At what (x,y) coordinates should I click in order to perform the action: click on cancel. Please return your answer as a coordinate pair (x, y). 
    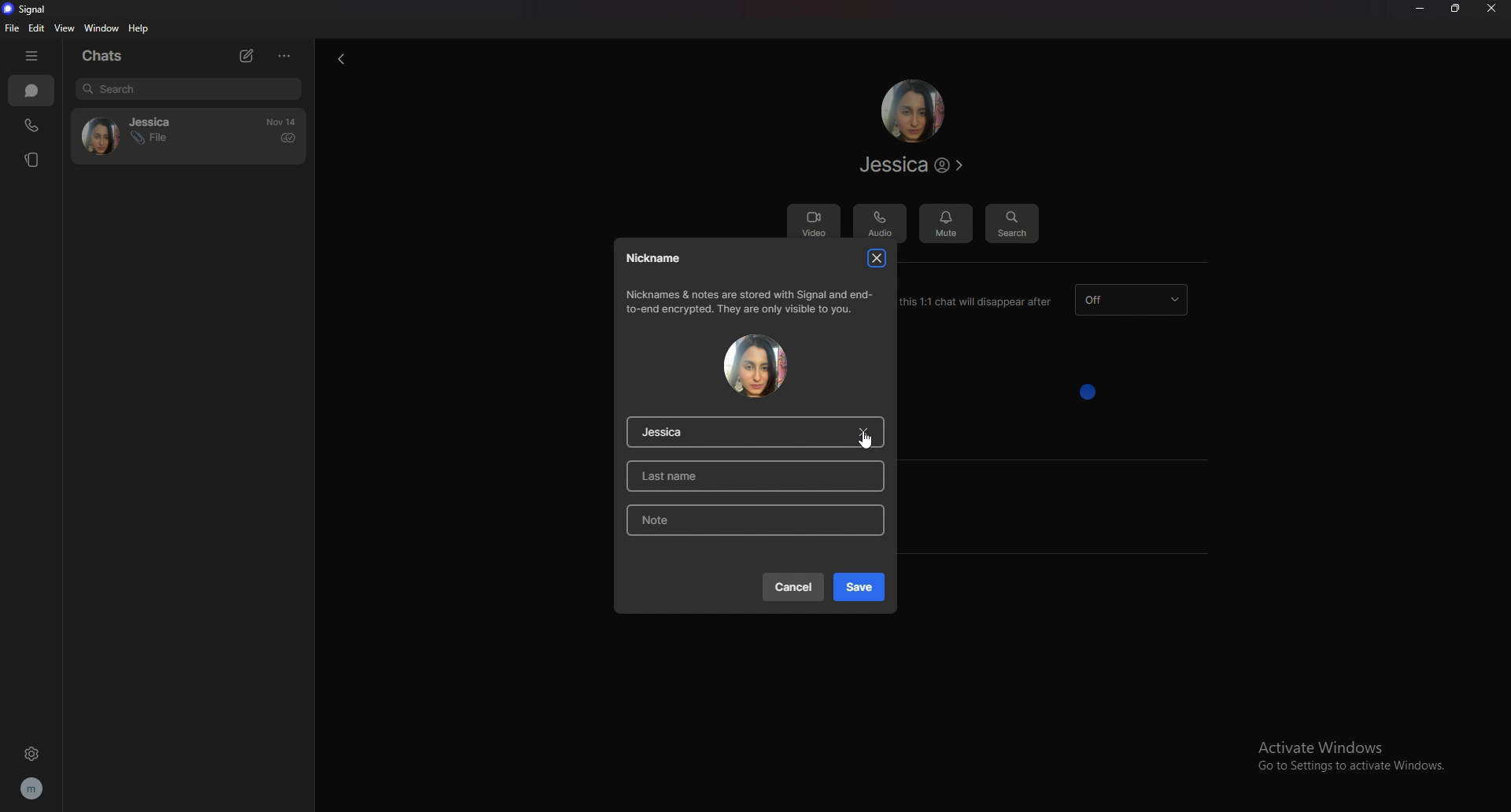
    Looking at the image, I should click on (792, 586).